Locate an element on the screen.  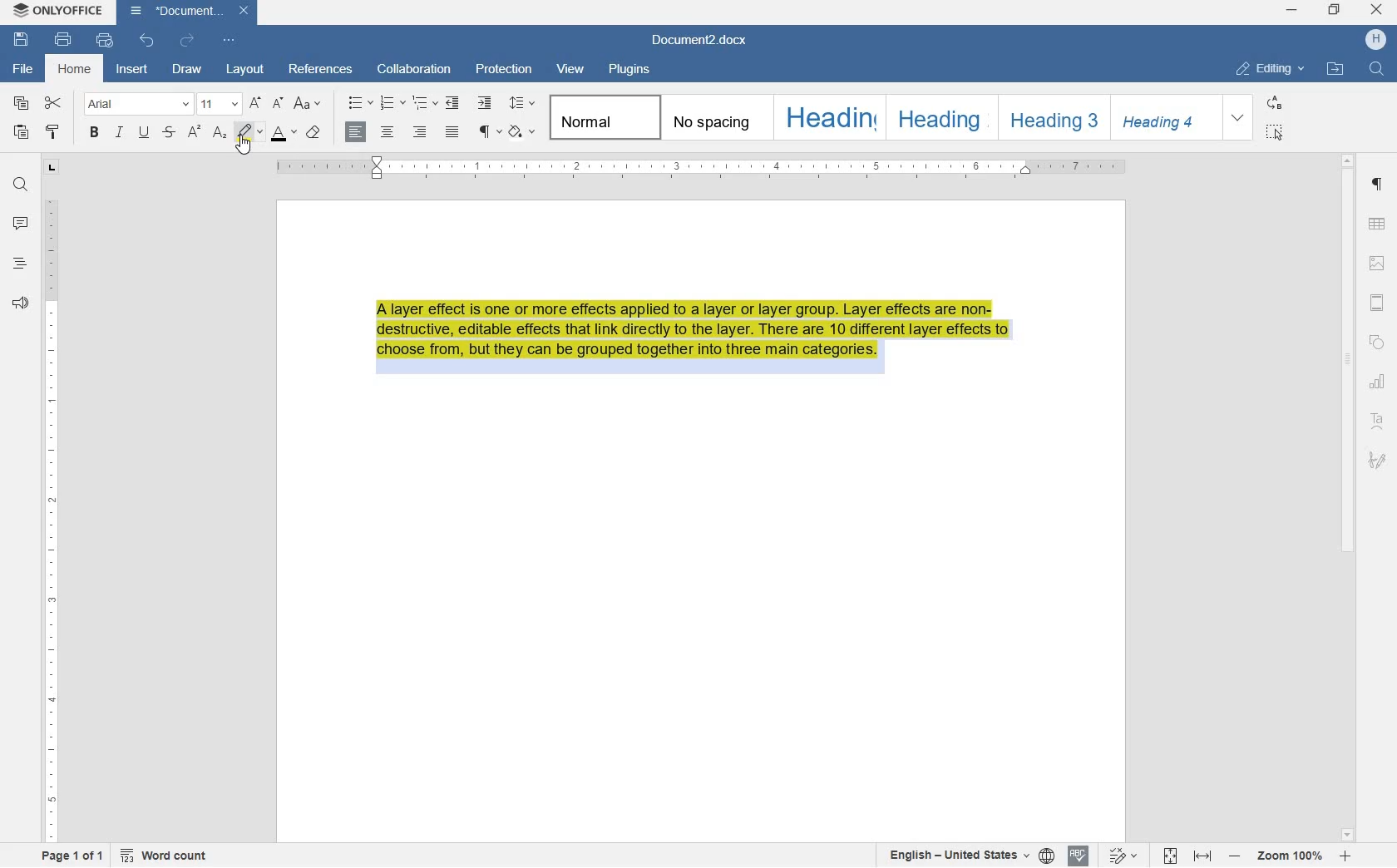
SHADING is located at coordinates (521, 133).